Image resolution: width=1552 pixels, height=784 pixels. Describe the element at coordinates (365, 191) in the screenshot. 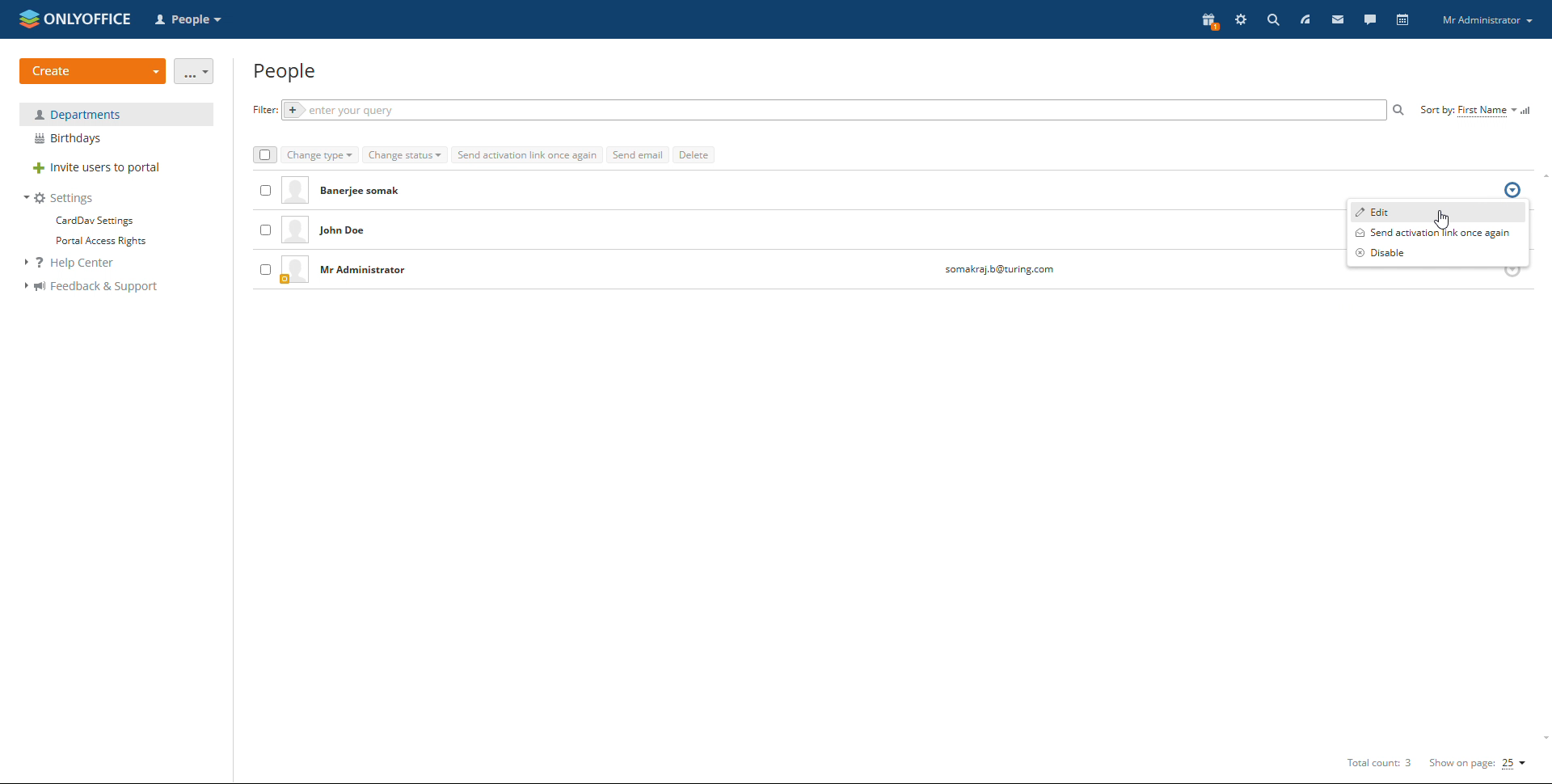

I see `Banerje somak` at that location.